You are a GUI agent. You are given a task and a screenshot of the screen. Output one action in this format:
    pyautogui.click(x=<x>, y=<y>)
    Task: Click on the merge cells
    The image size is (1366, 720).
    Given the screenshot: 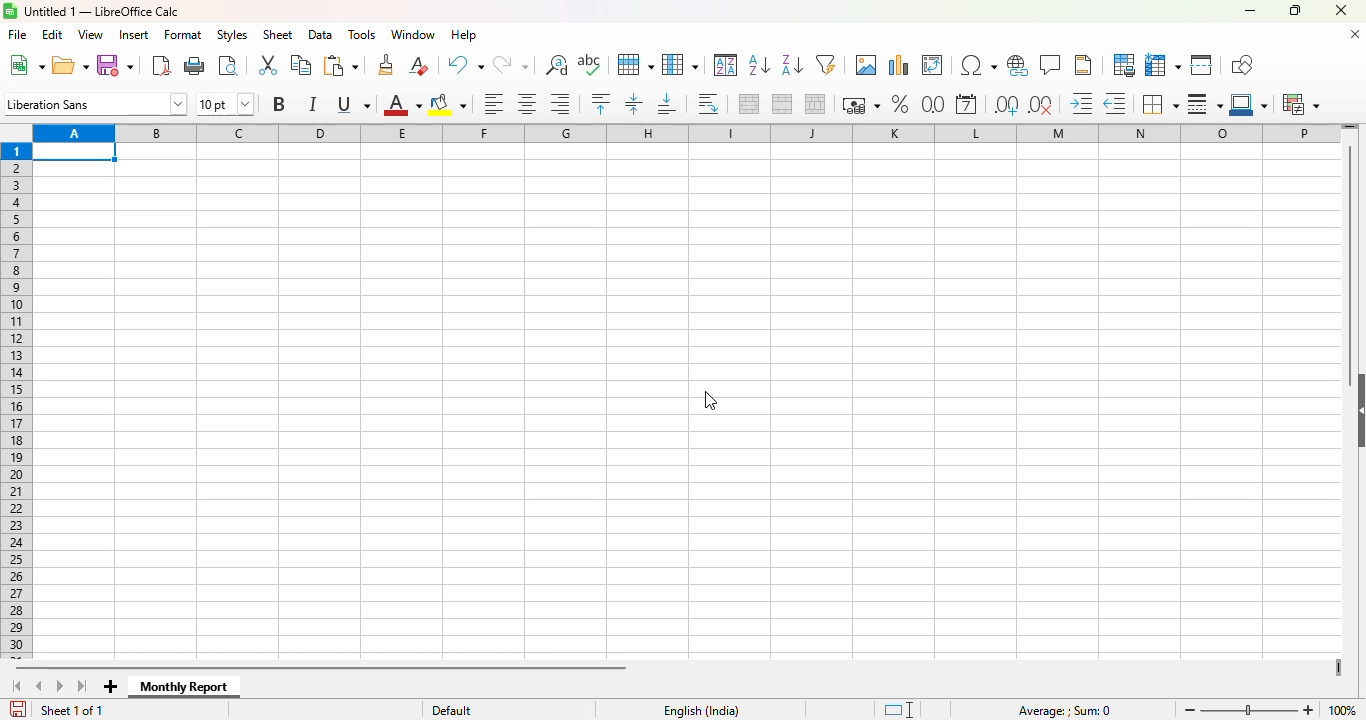 What is the action you would take?
    pyautogui.click(x=783, y=103)
    